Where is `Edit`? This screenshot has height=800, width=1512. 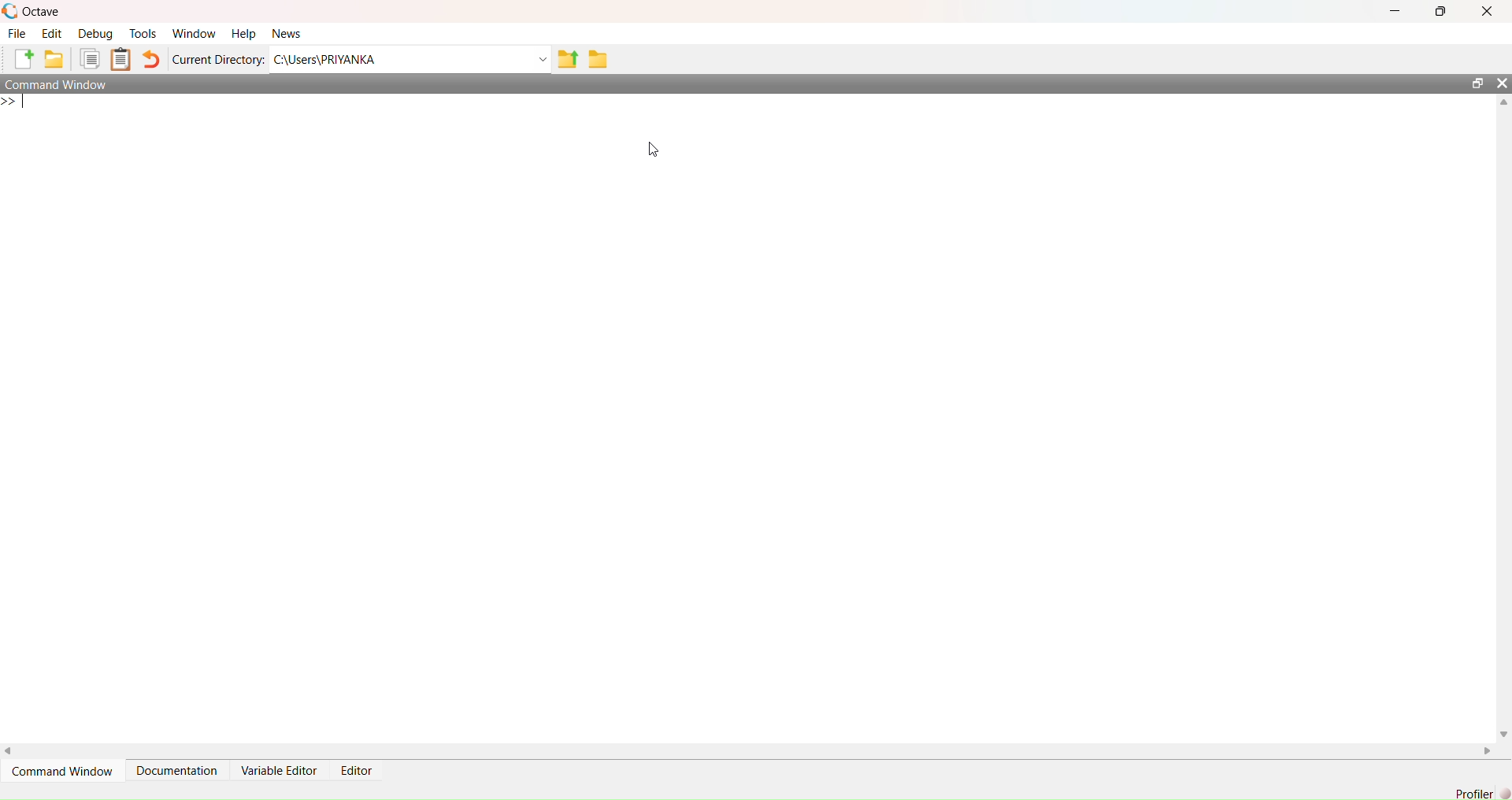 Edit is located at coordinates (52, 33).